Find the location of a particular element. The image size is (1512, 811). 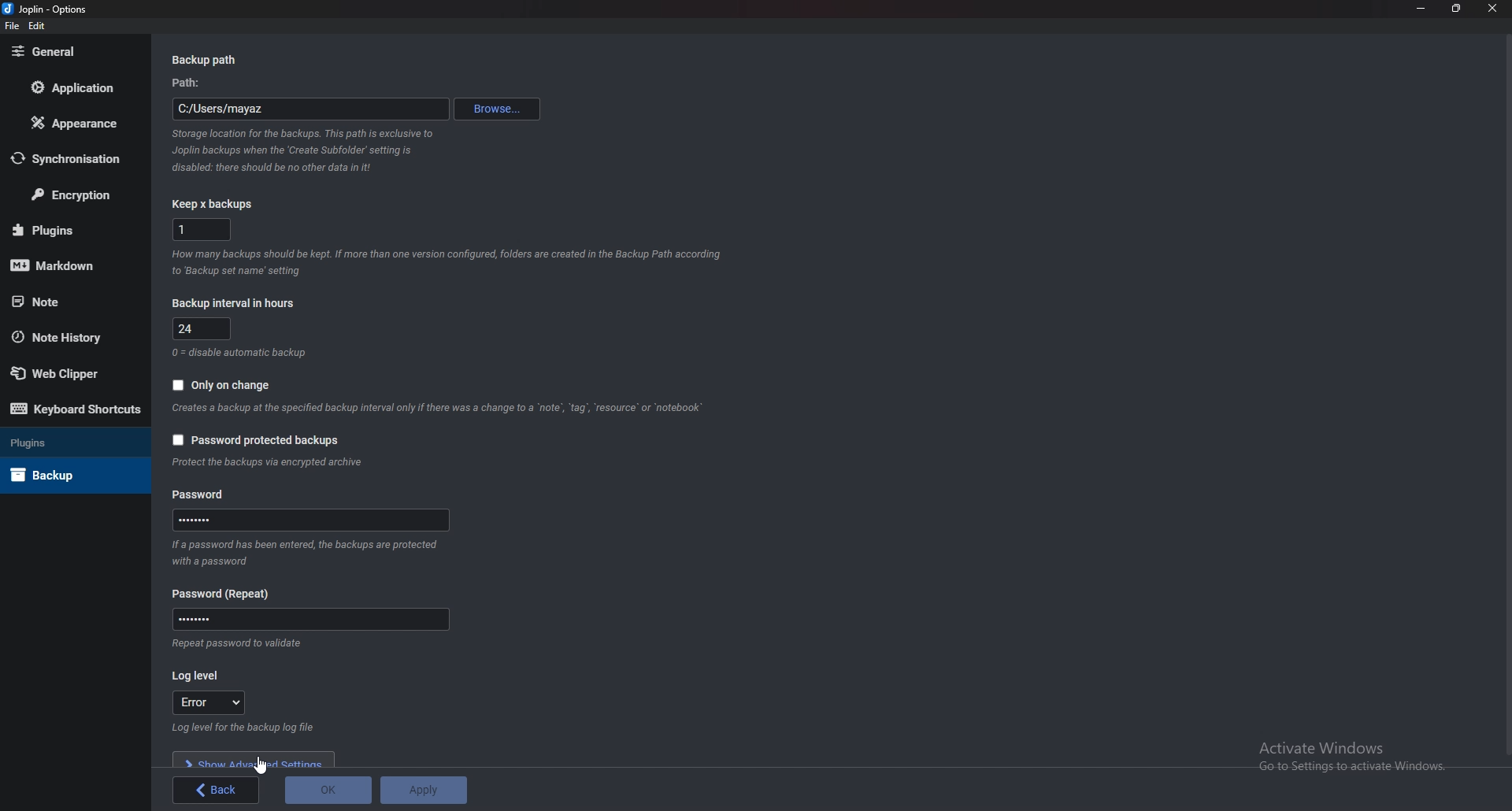

Info is located at coordinates (306, 150).